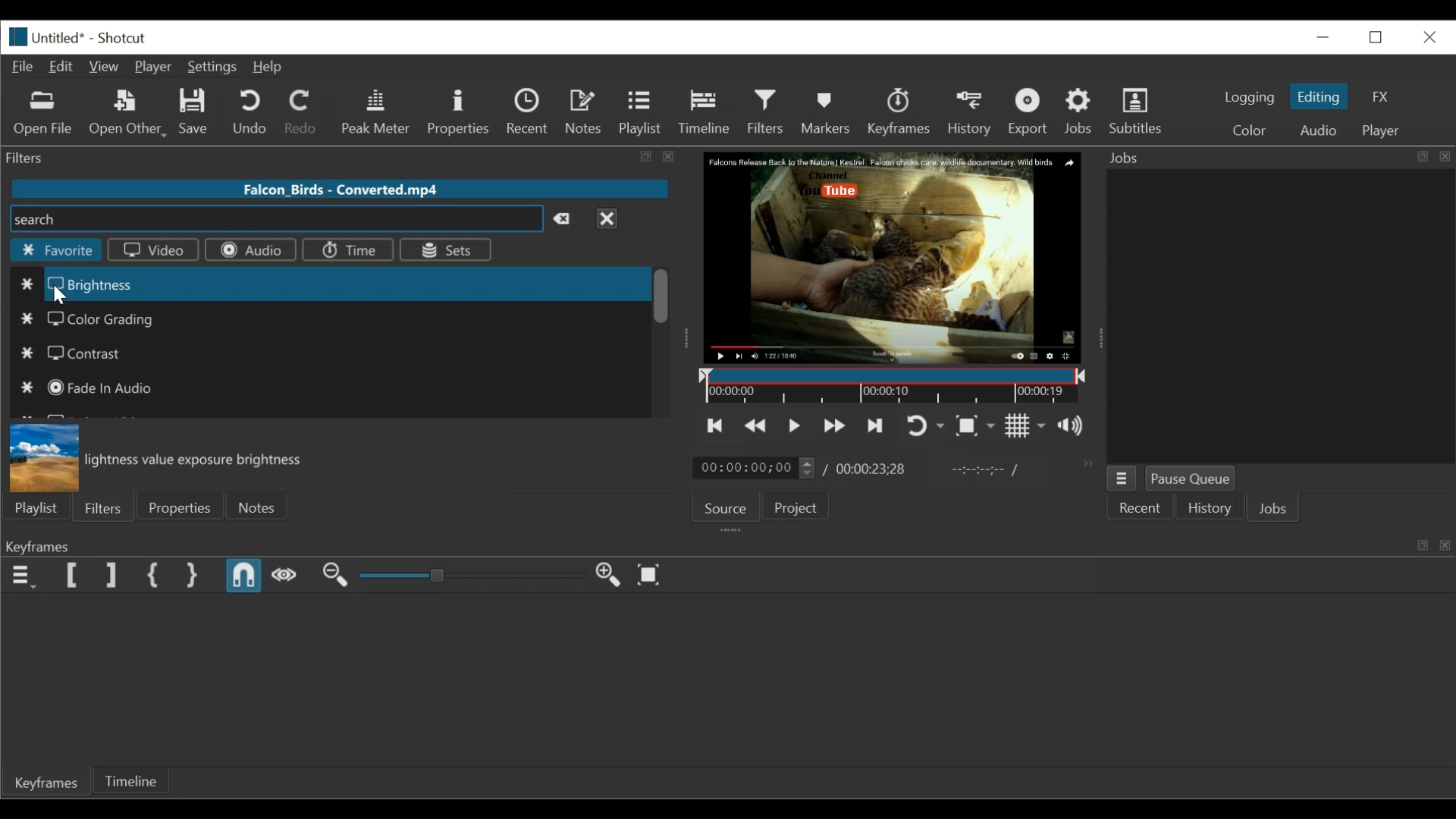  Describe the element at coordinates (1280, 317) in the screenshot. I see `Jobs panel` at that location.